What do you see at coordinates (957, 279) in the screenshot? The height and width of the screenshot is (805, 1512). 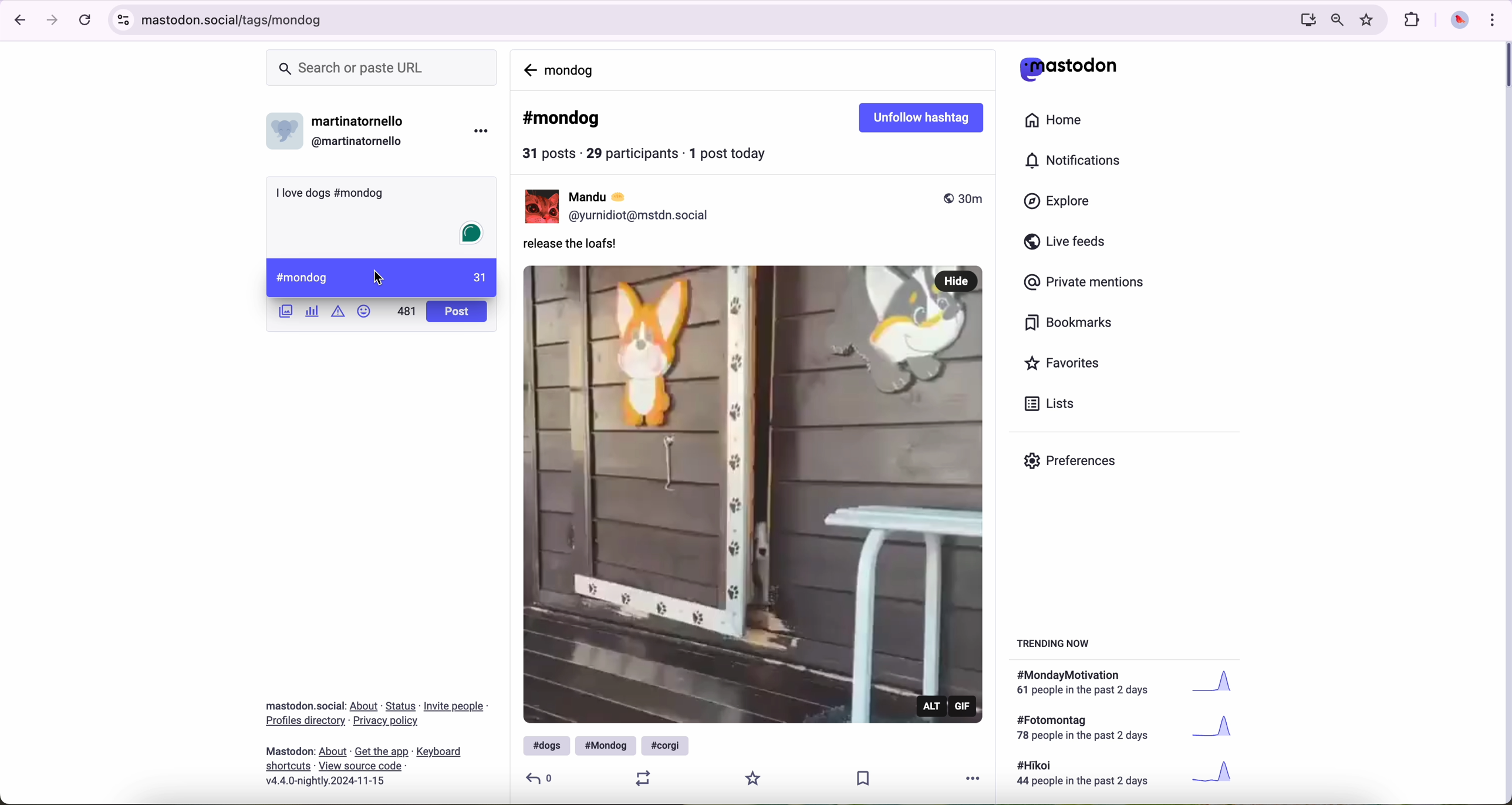 I see `hide` at bounding box center [957, 279].